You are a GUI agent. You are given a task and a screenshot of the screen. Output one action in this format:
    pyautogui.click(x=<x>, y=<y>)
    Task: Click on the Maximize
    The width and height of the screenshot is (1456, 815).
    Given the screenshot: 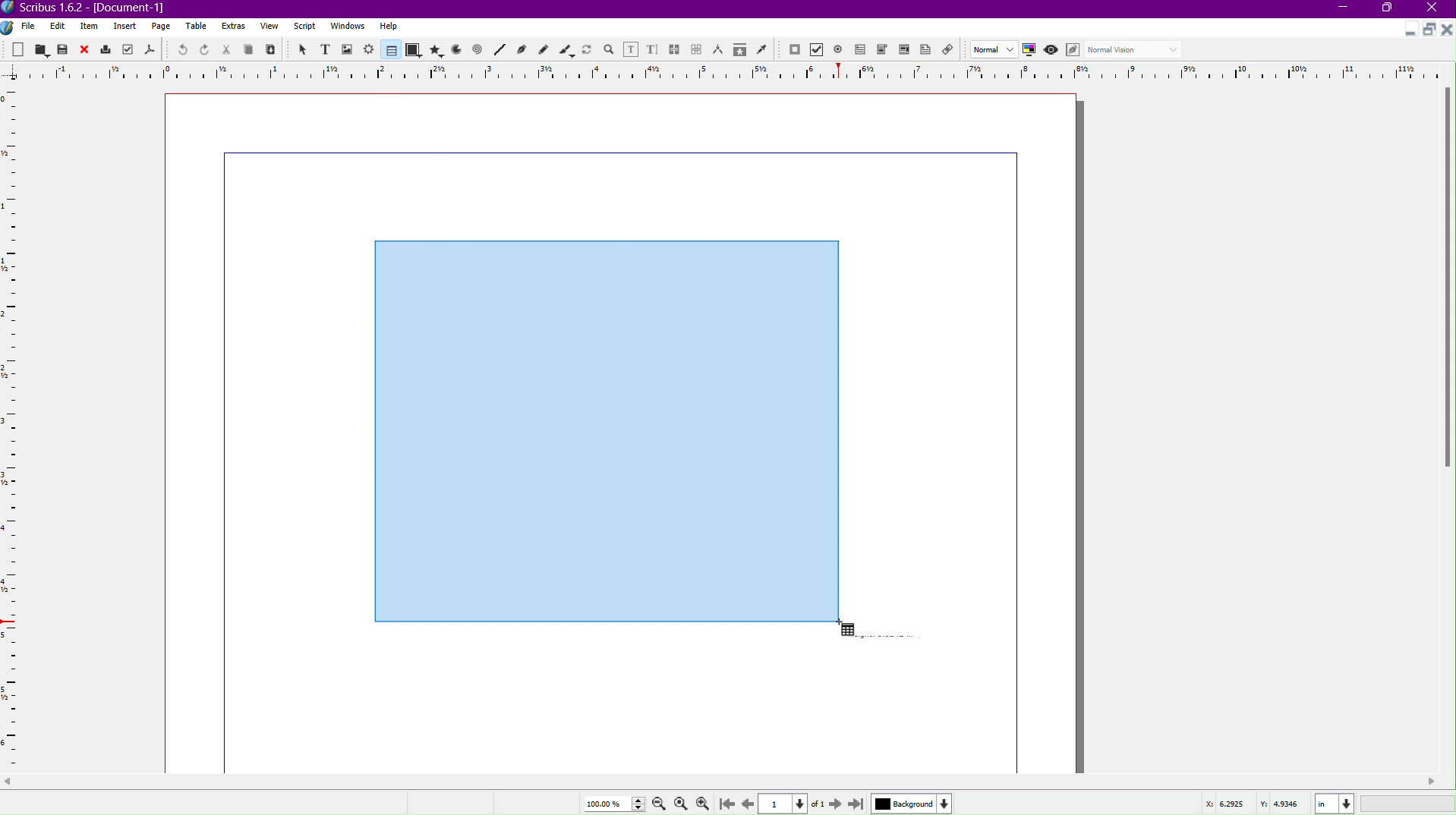 What is the action you would take?
    pyautogui.click(x=1428, y=30)
    